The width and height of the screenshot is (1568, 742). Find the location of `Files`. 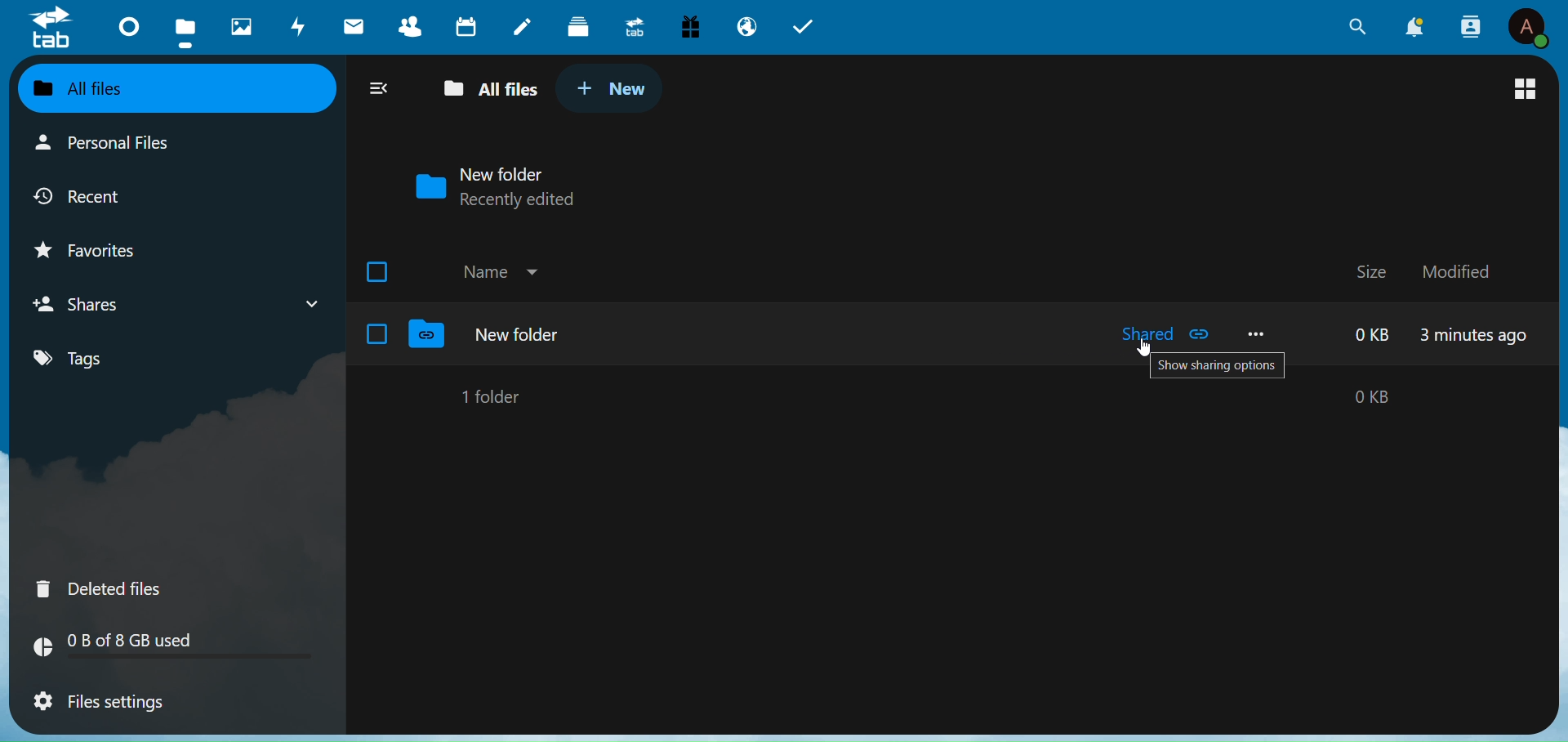

Files is located at coordinates (184, 29).